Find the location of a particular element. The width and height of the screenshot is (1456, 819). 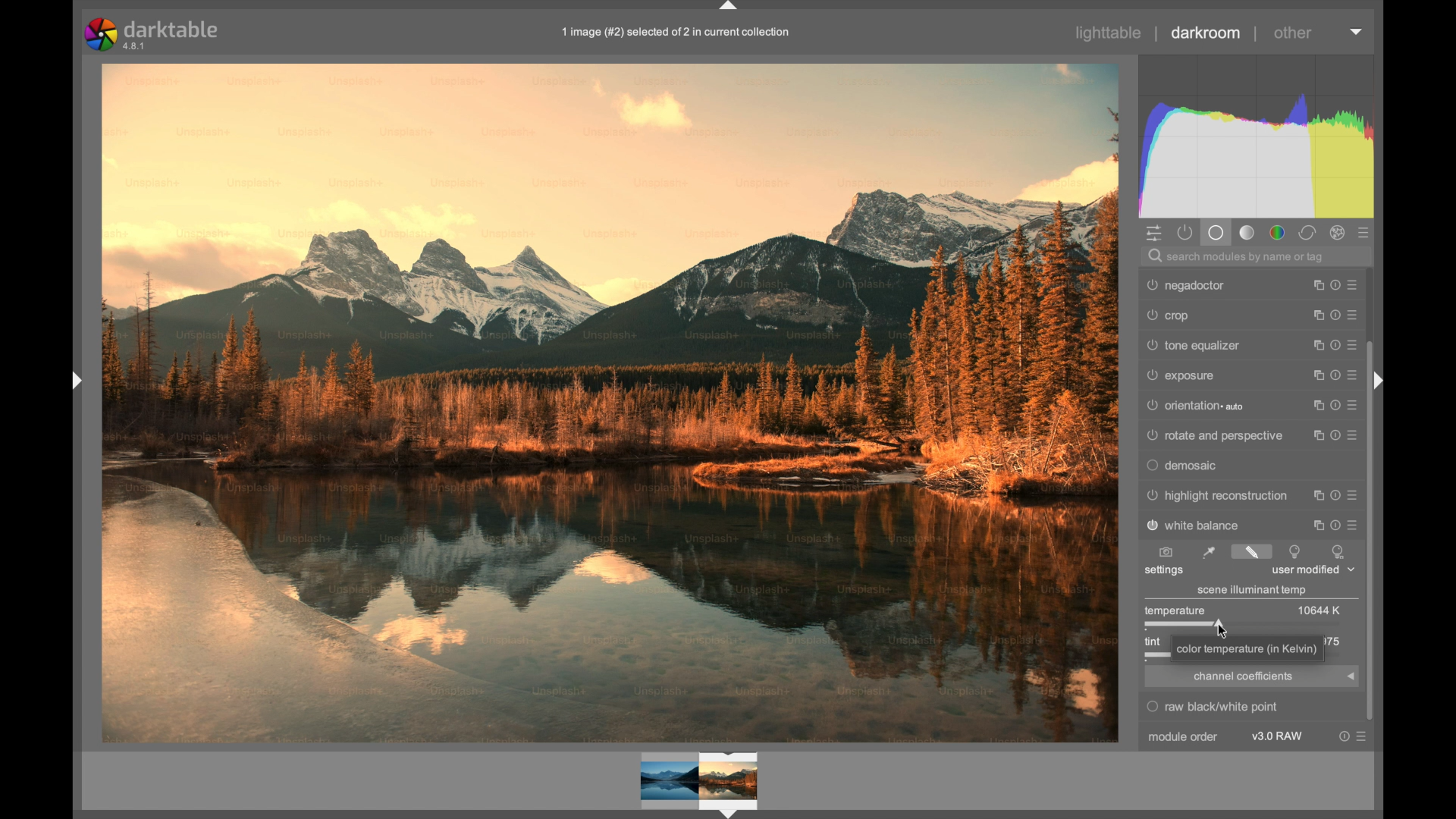

presets is located at coordinates (1357, 372).